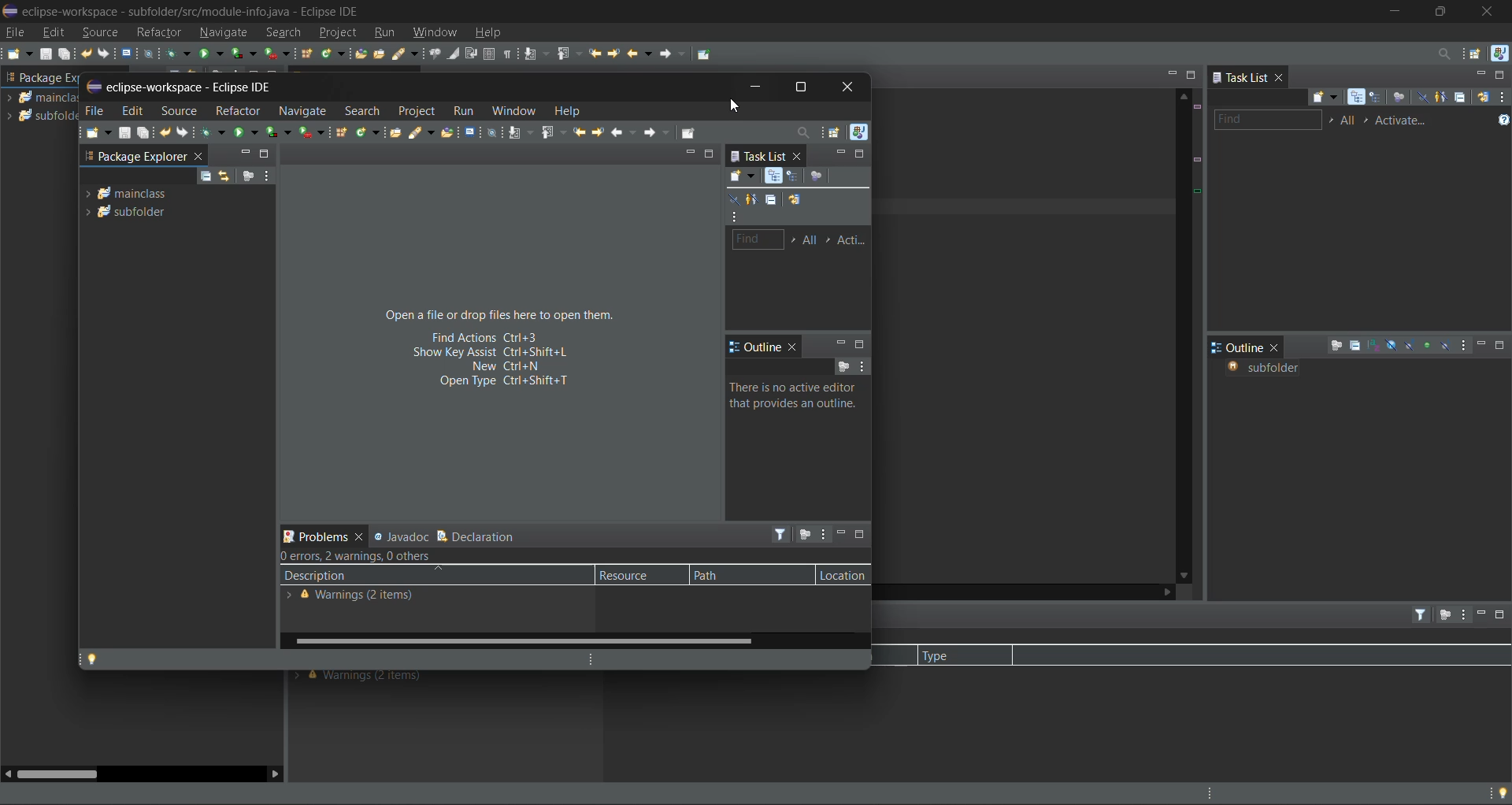 This screenshot has height=805, width=1512. What do you see at coordinates (757, 347) in the screenshot?
I see `outline` at bounding box center [757, 347].